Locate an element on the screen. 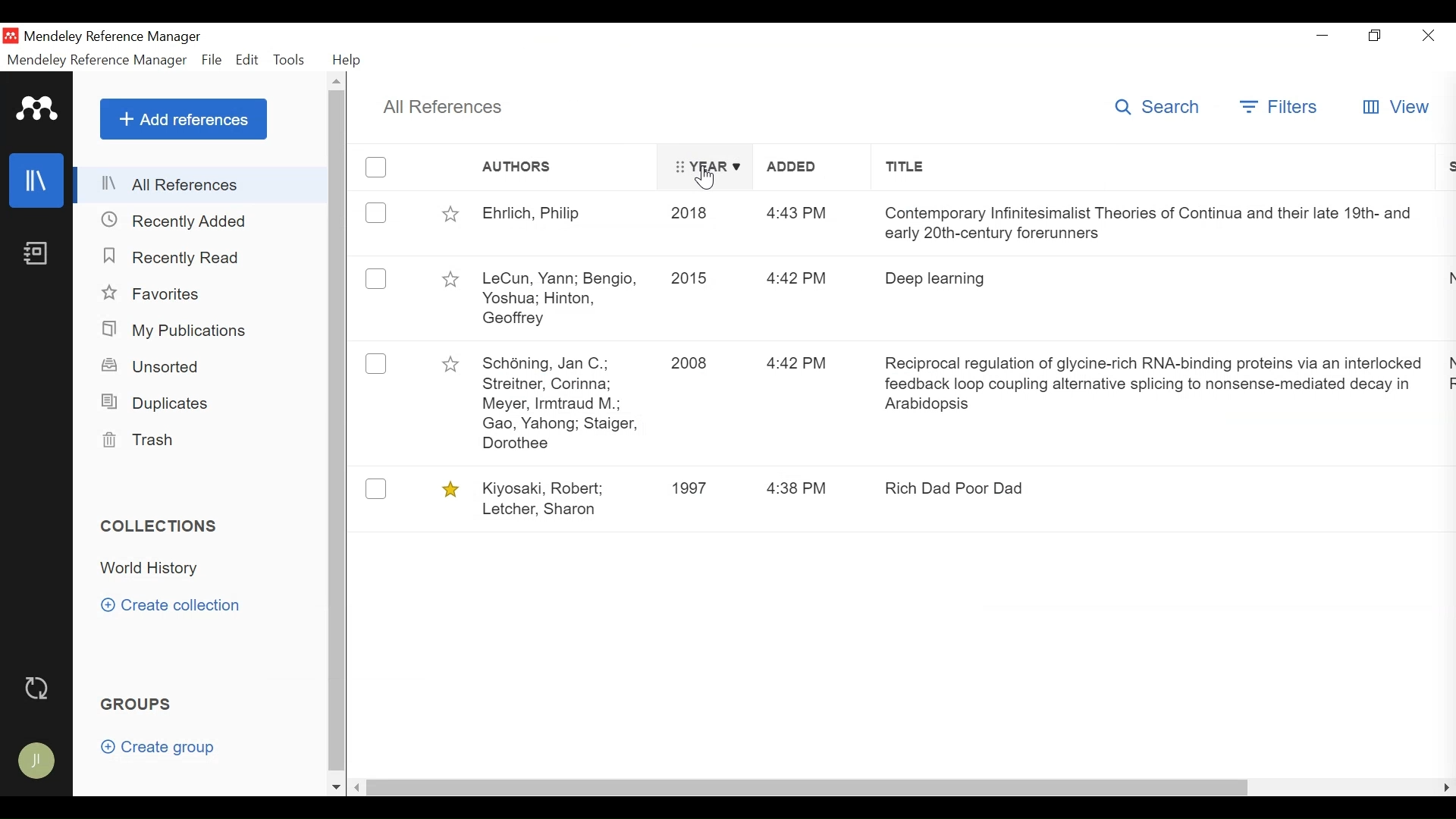  Scroll left is located at coordinates (362, 786).